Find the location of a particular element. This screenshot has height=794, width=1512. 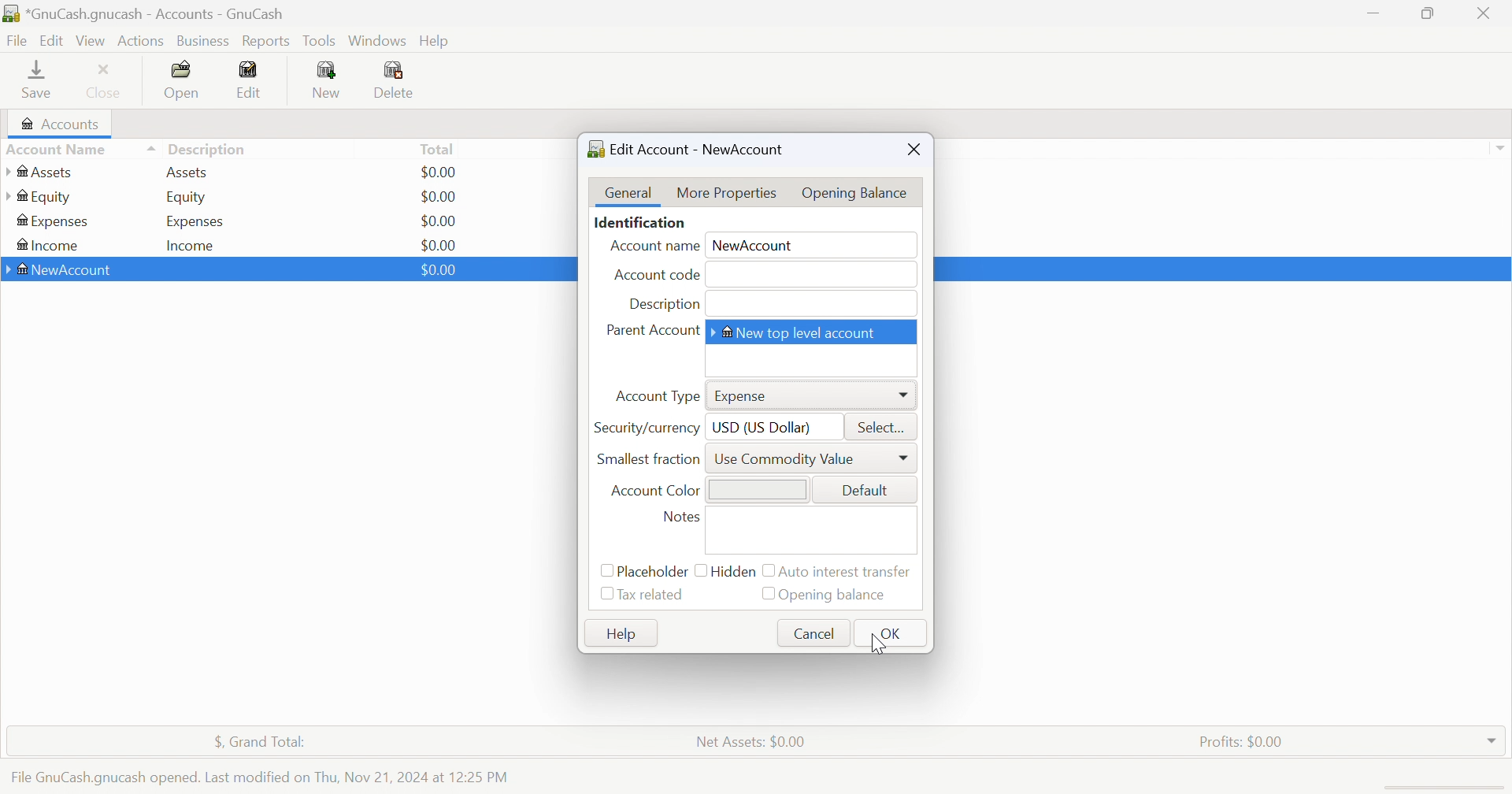

checkbox is located at coordinates (700, 572).